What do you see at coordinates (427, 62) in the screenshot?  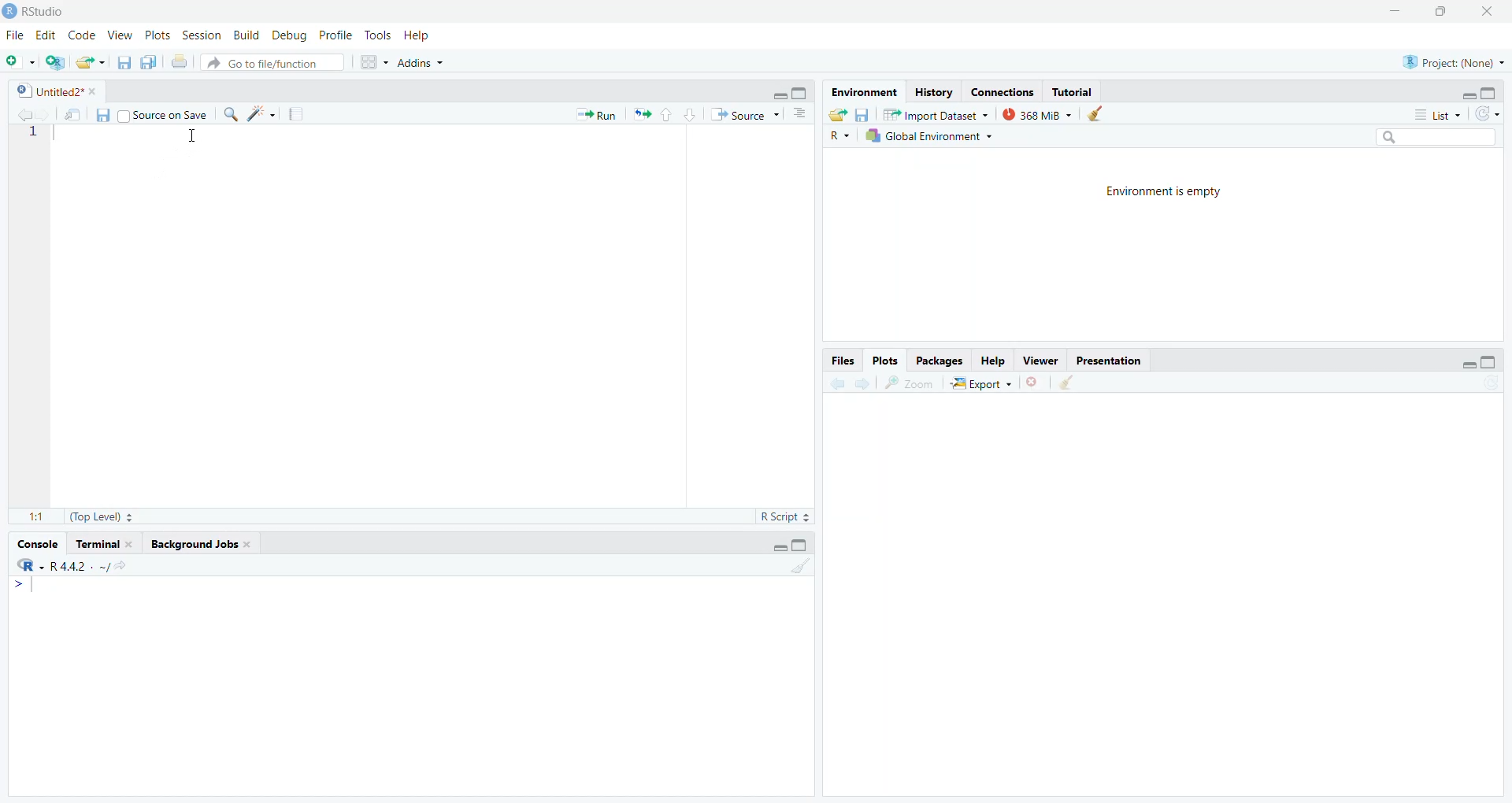 I see `+ Addins ~` at bounding box center [427, 62].